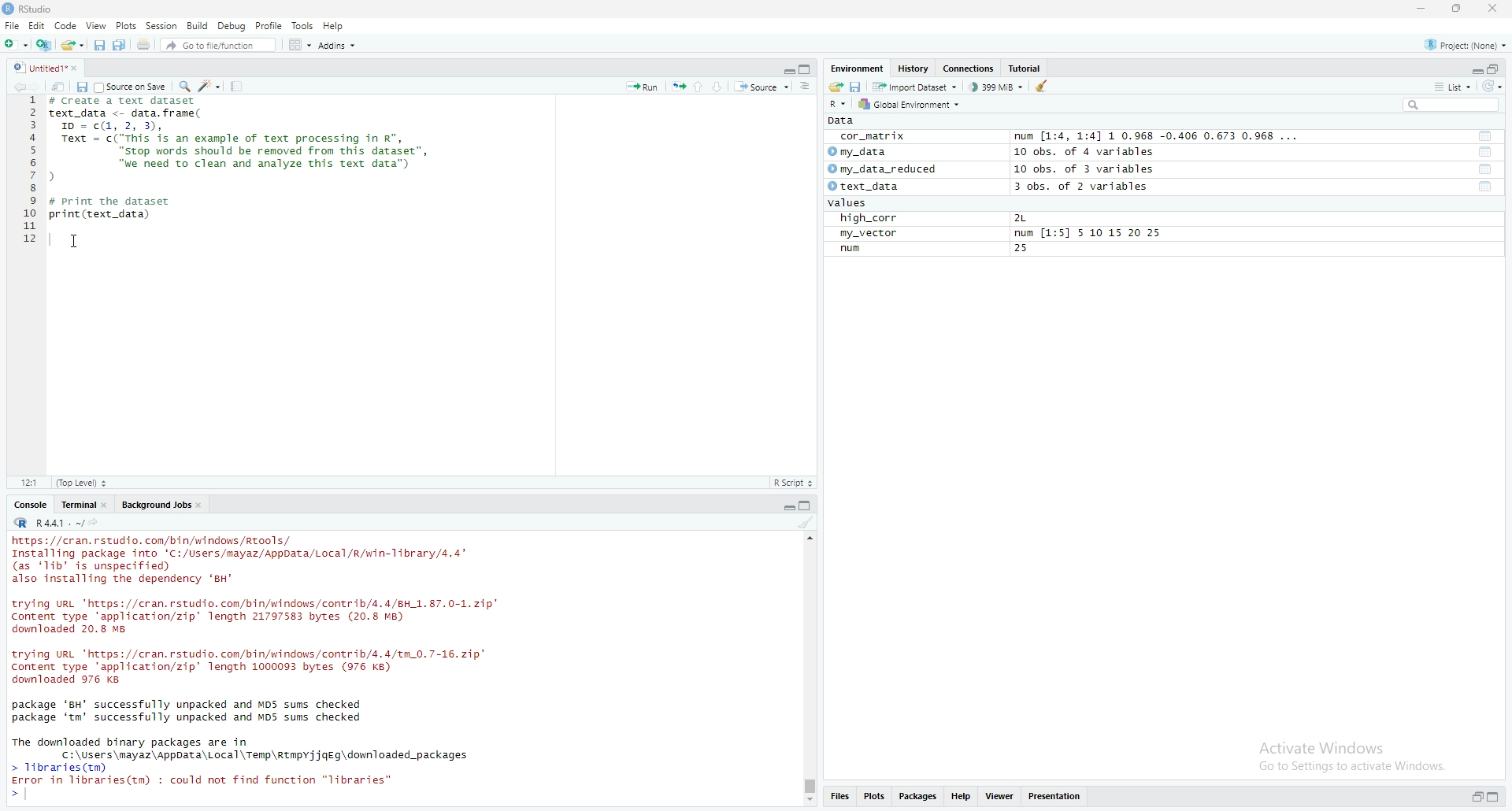  What do you see at coordinates (145, 47) in the screenshot?
I see `print the current file` at bounding box center [145, 47].